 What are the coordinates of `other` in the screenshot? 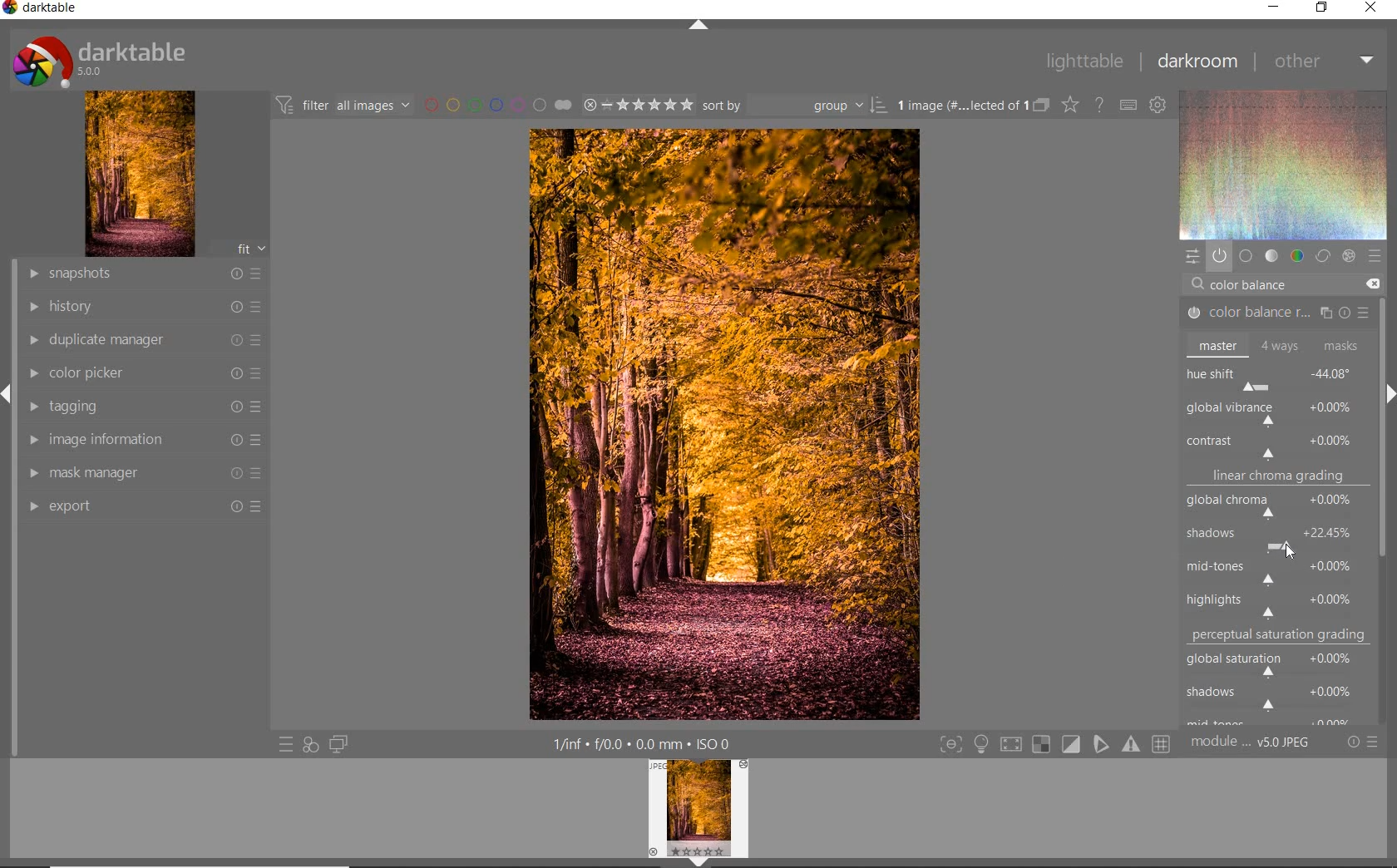 It's located at (1325, 62).